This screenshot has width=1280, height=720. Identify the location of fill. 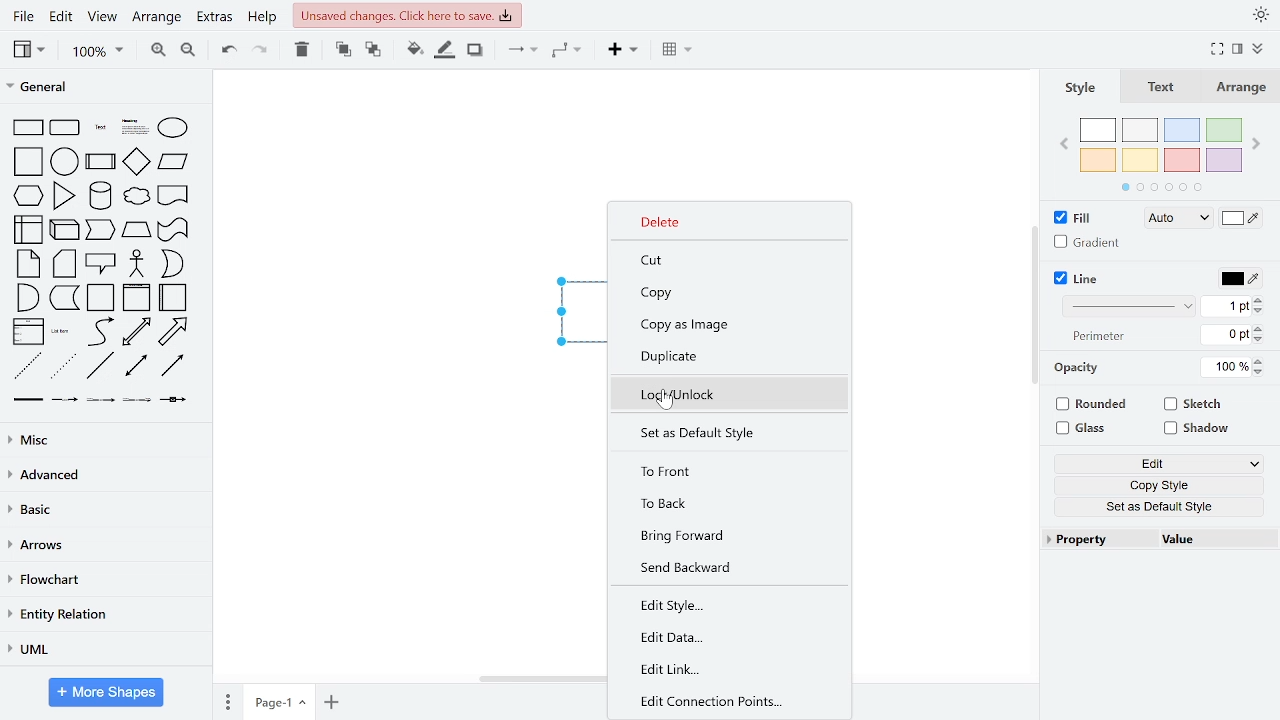
(1075, 218).